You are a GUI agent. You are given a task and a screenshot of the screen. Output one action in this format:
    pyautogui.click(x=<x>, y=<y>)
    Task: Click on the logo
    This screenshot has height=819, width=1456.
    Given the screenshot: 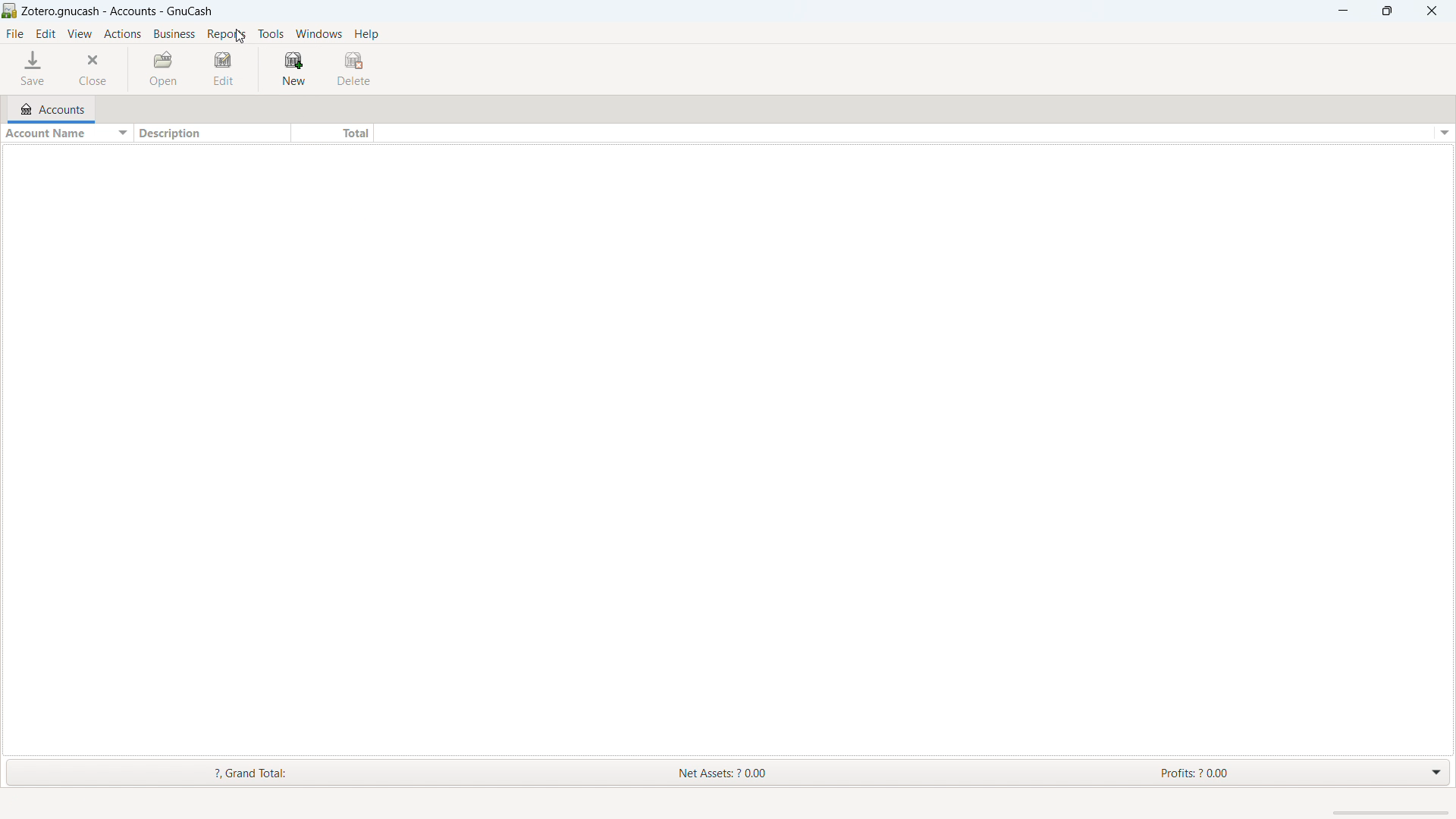 What is the action you would take?
    pyautogui.click(x=10, y=11)
    